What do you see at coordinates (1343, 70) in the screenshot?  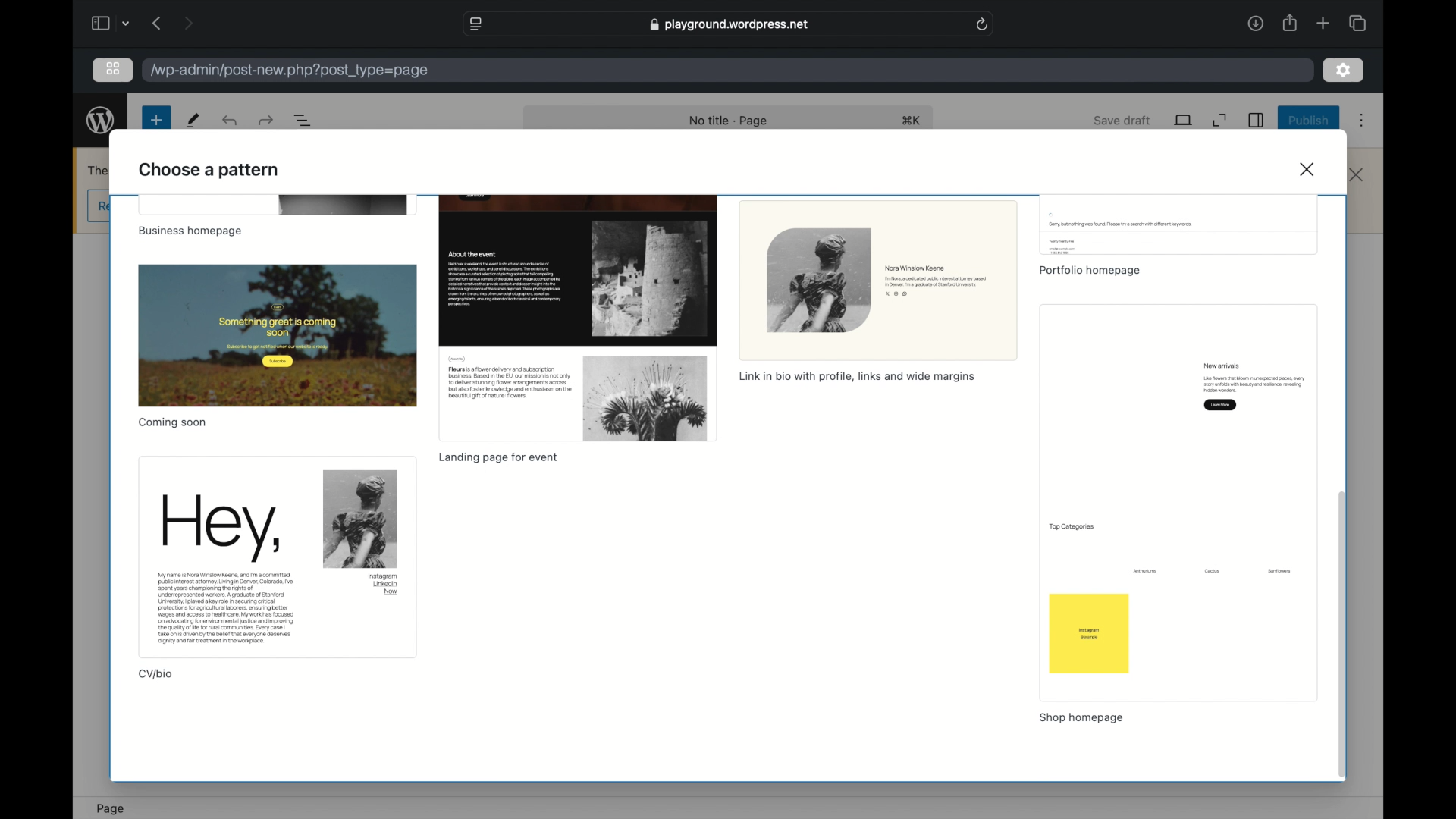 I see `settings` at bounding box center [1343, 70].